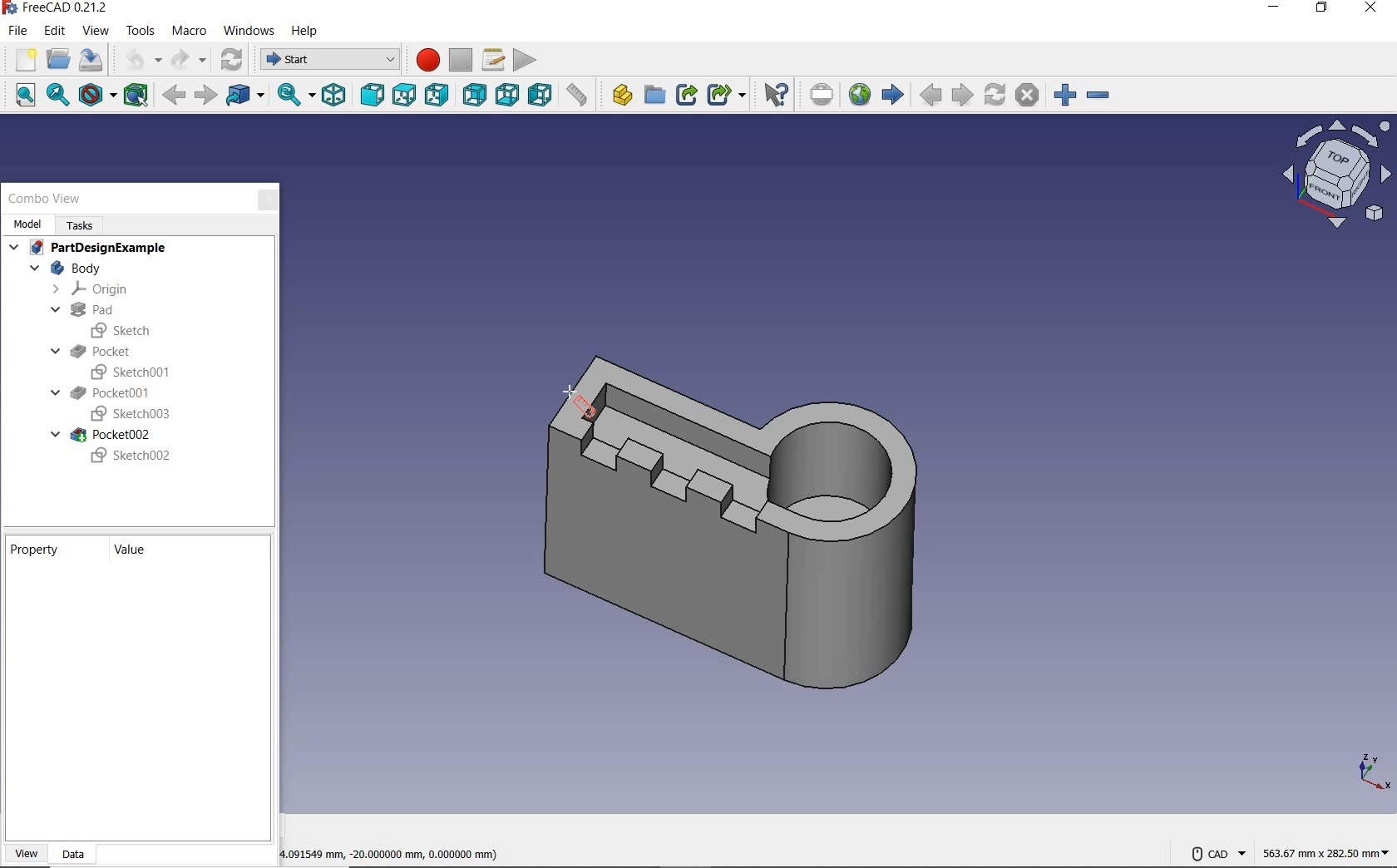 The height and width of the screenshot is (868, 1397). I want to click on edit, so click(54, 32).